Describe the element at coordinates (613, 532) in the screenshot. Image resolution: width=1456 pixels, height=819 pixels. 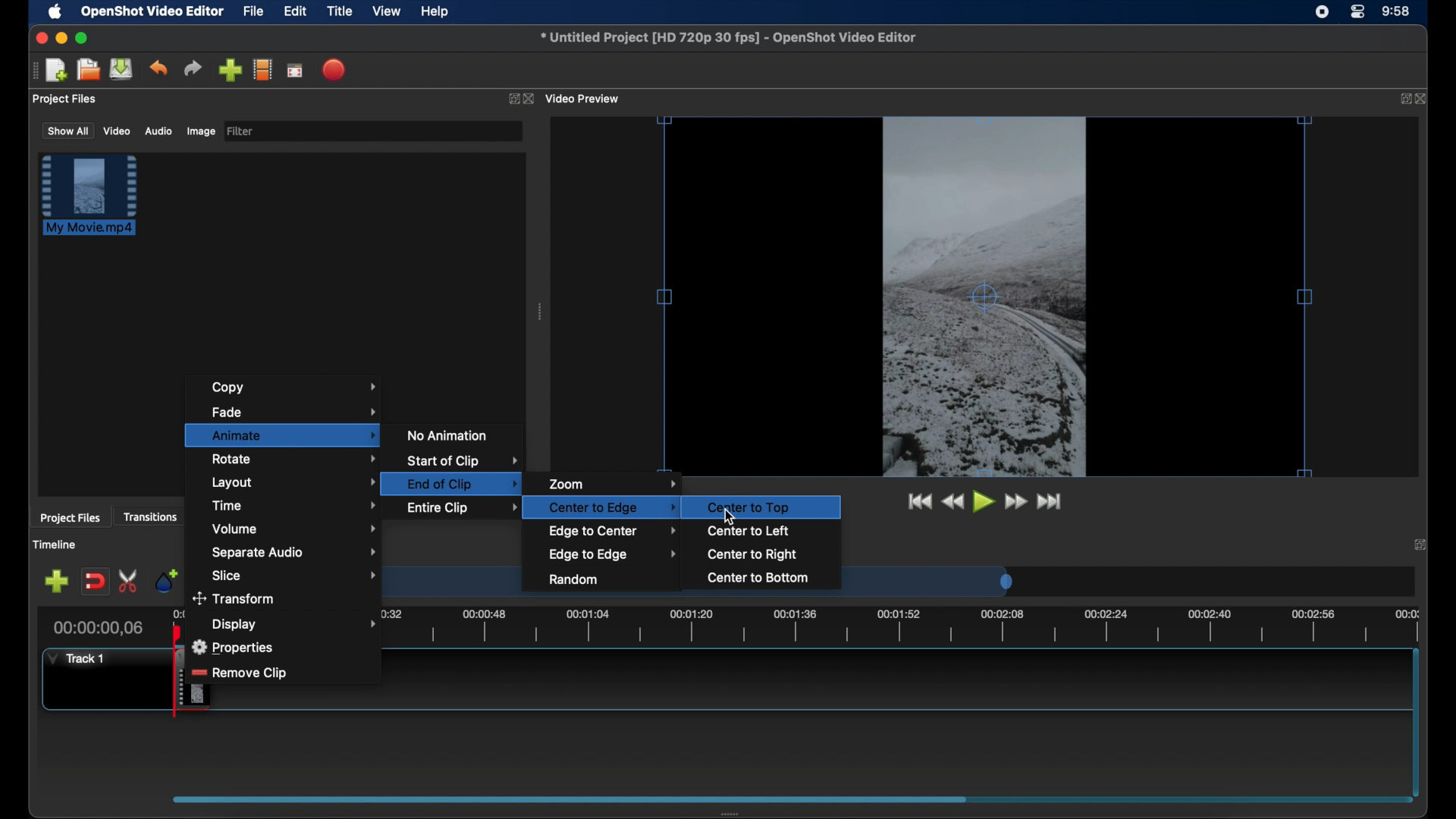
I see `edge to center menu` at that location.